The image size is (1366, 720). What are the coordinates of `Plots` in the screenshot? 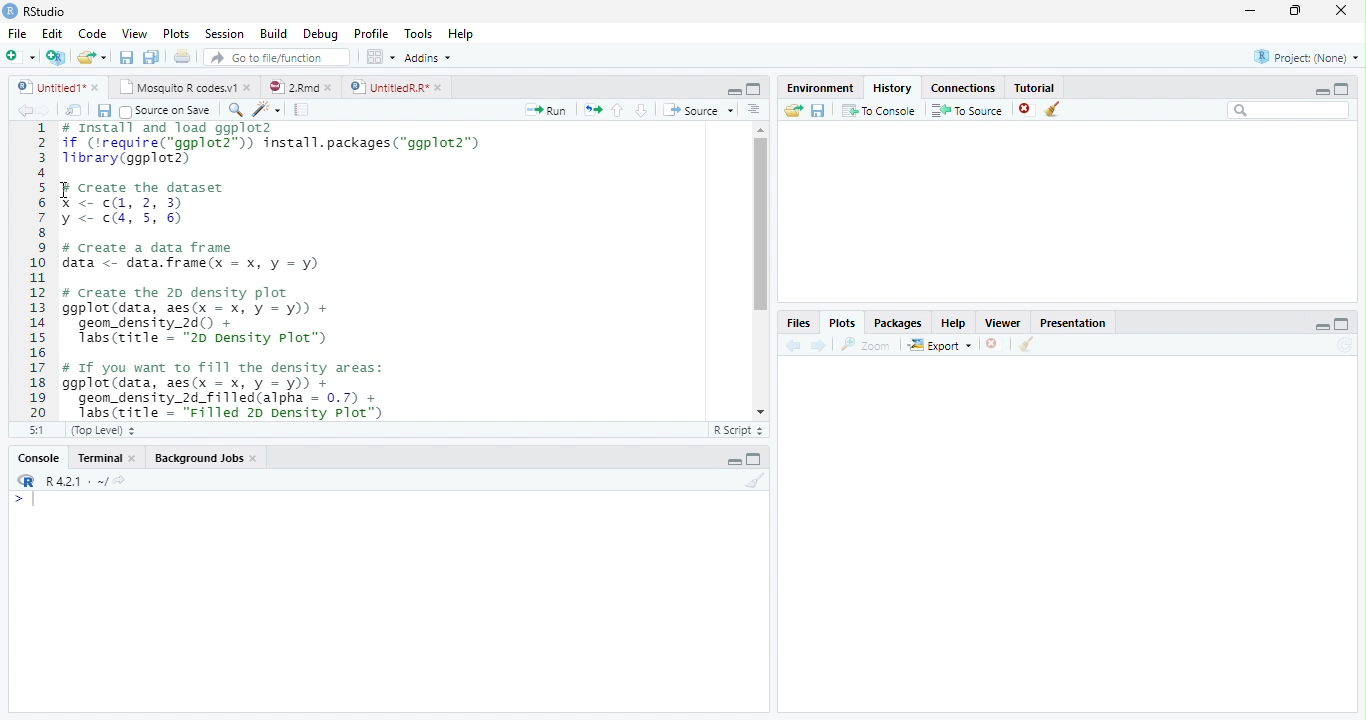 It's located at (175, 33).